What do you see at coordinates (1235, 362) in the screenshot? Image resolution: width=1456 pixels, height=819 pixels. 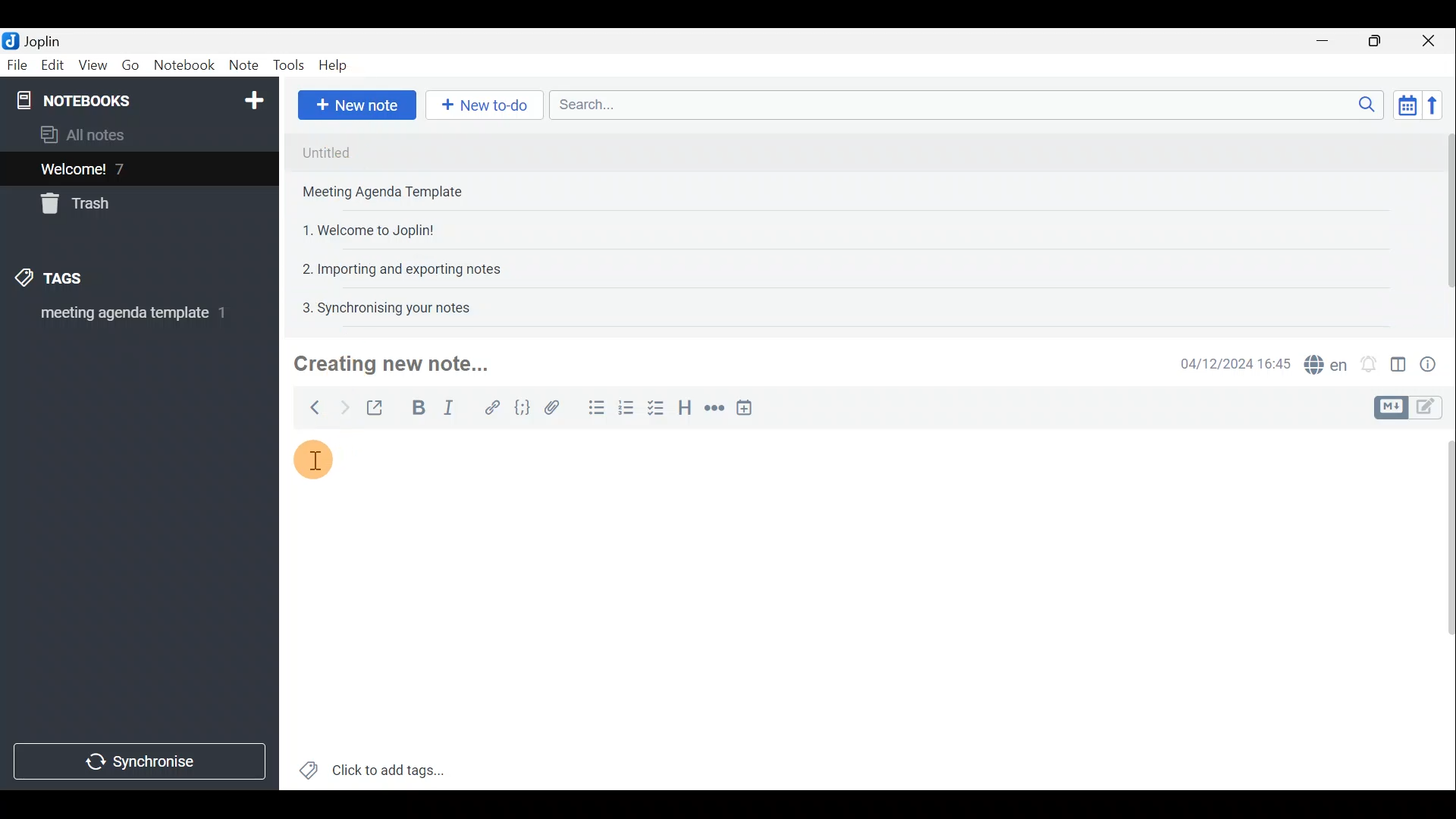 I see `Date & time` at bounding box center [1235, 362].